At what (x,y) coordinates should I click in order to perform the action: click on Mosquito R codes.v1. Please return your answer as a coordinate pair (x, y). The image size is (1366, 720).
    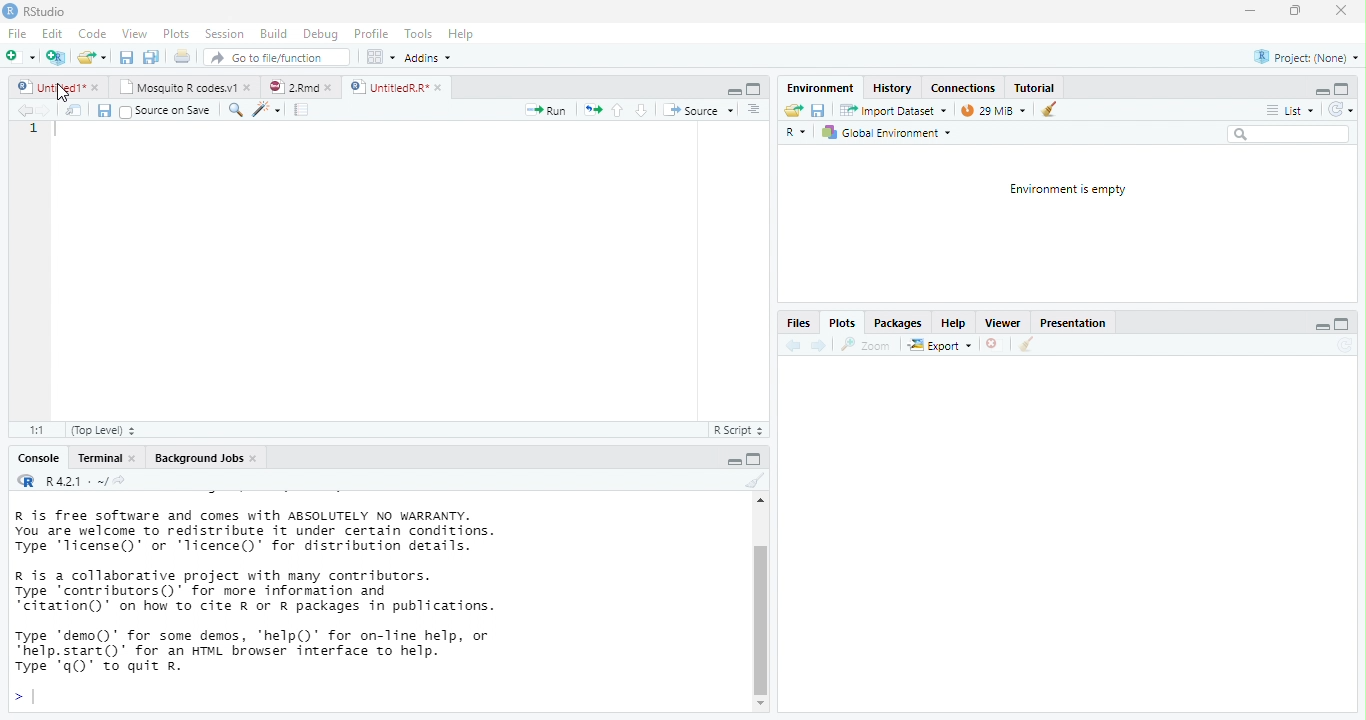
    Looking at the image, I should click on (180, 86).